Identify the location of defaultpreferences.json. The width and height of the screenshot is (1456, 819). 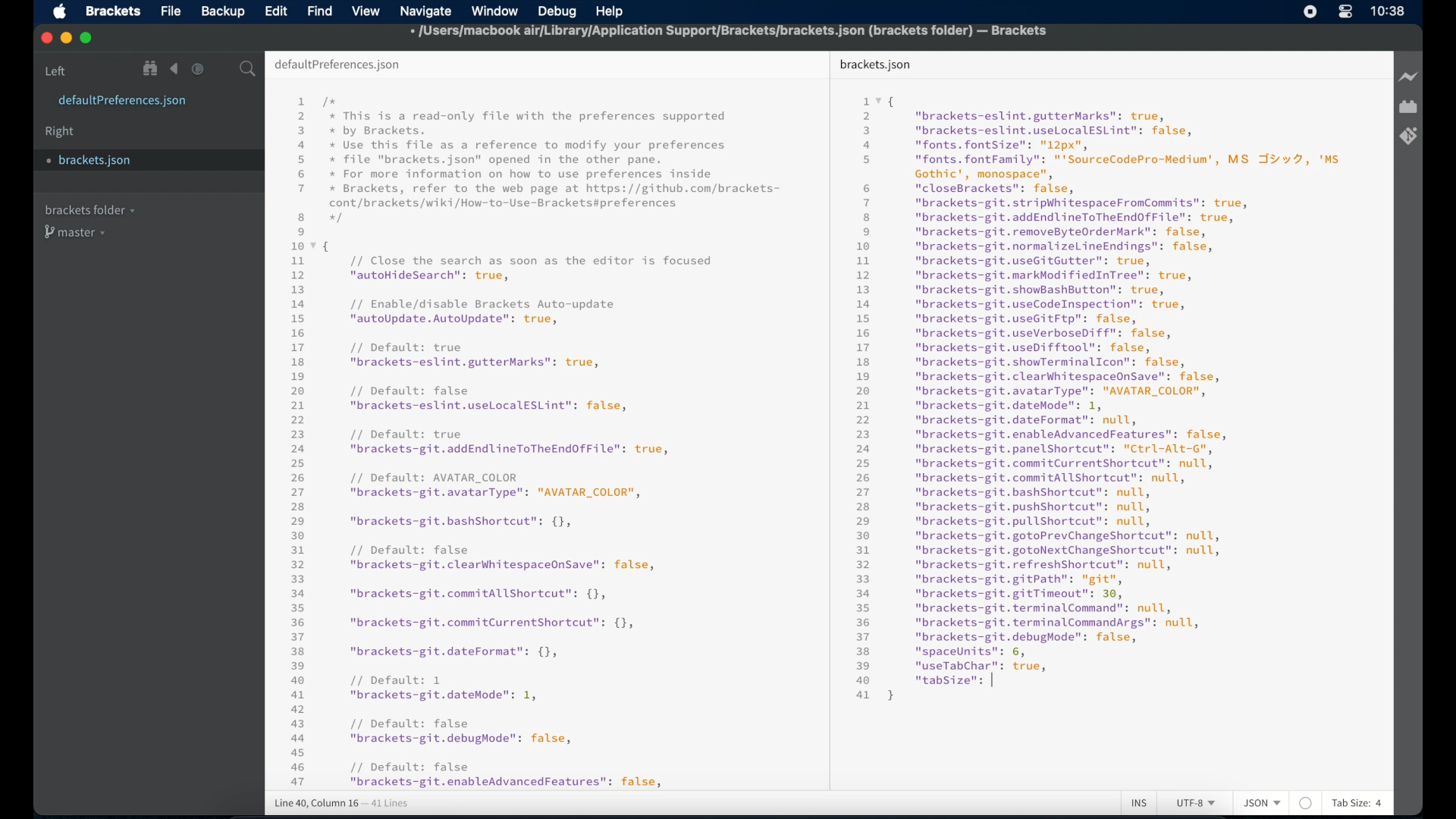
(122, 101).